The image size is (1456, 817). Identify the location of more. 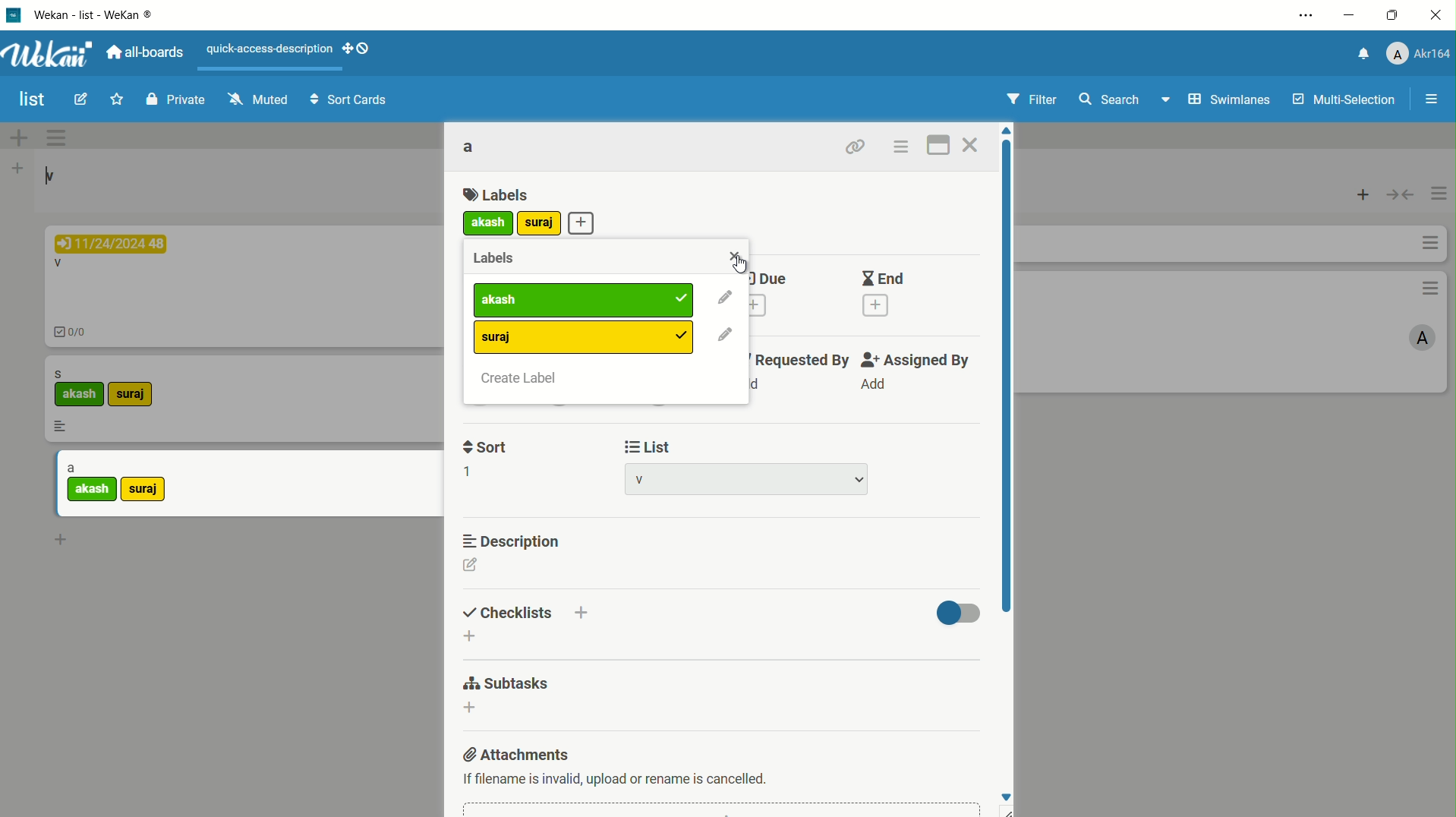
(64, 426).